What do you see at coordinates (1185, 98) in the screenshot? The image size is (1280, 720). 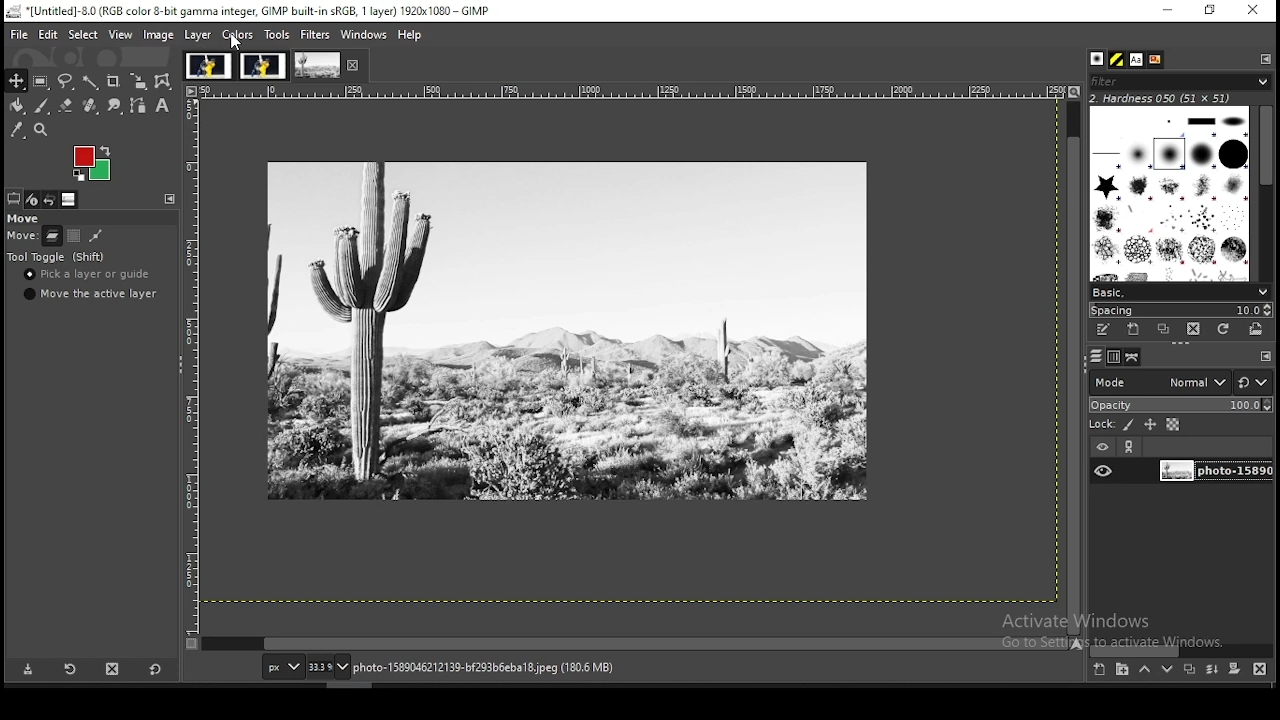 I see `hardness 050` at bounding box center [1185, 98].